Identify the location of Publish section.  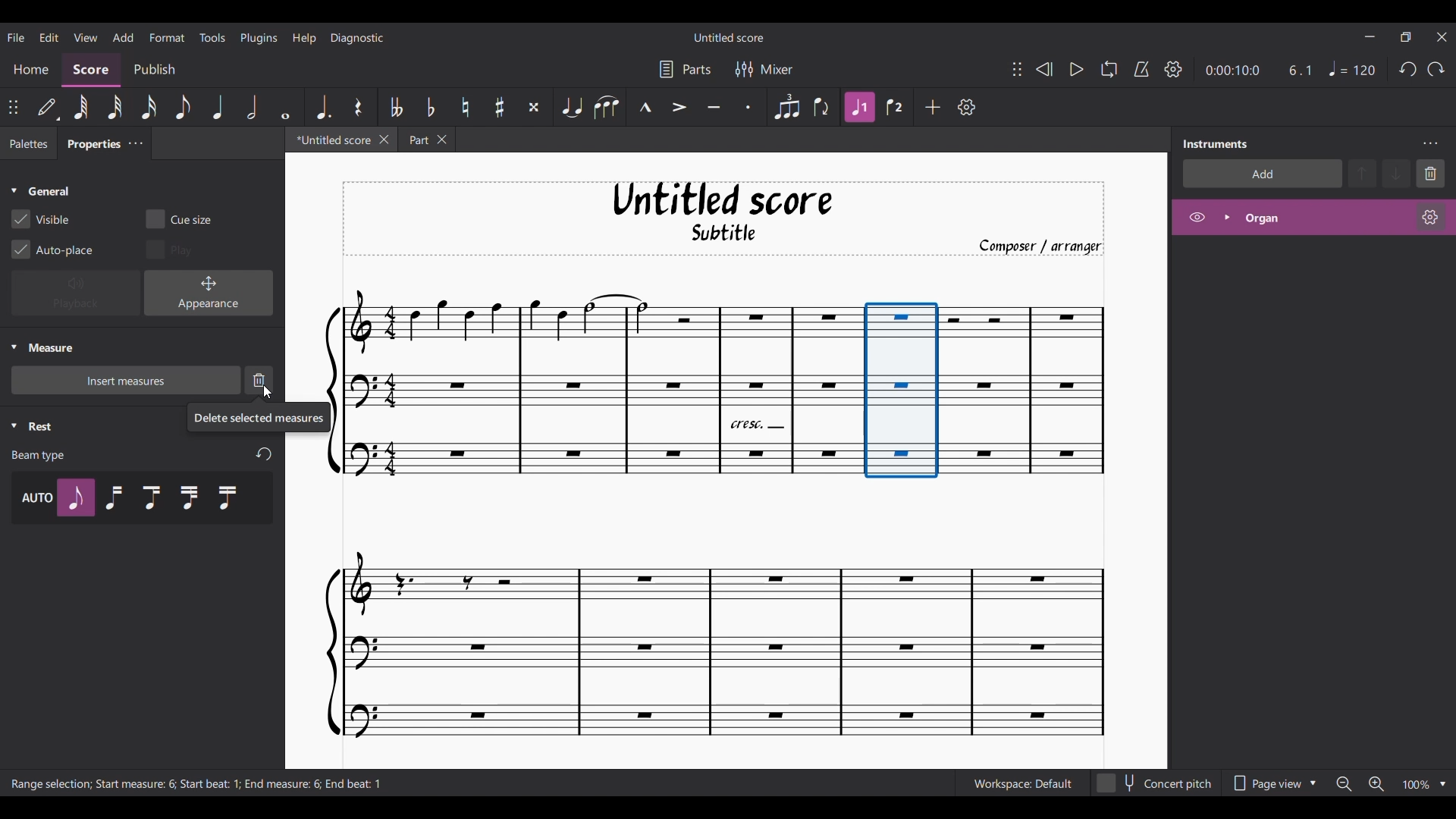
(153, 71).